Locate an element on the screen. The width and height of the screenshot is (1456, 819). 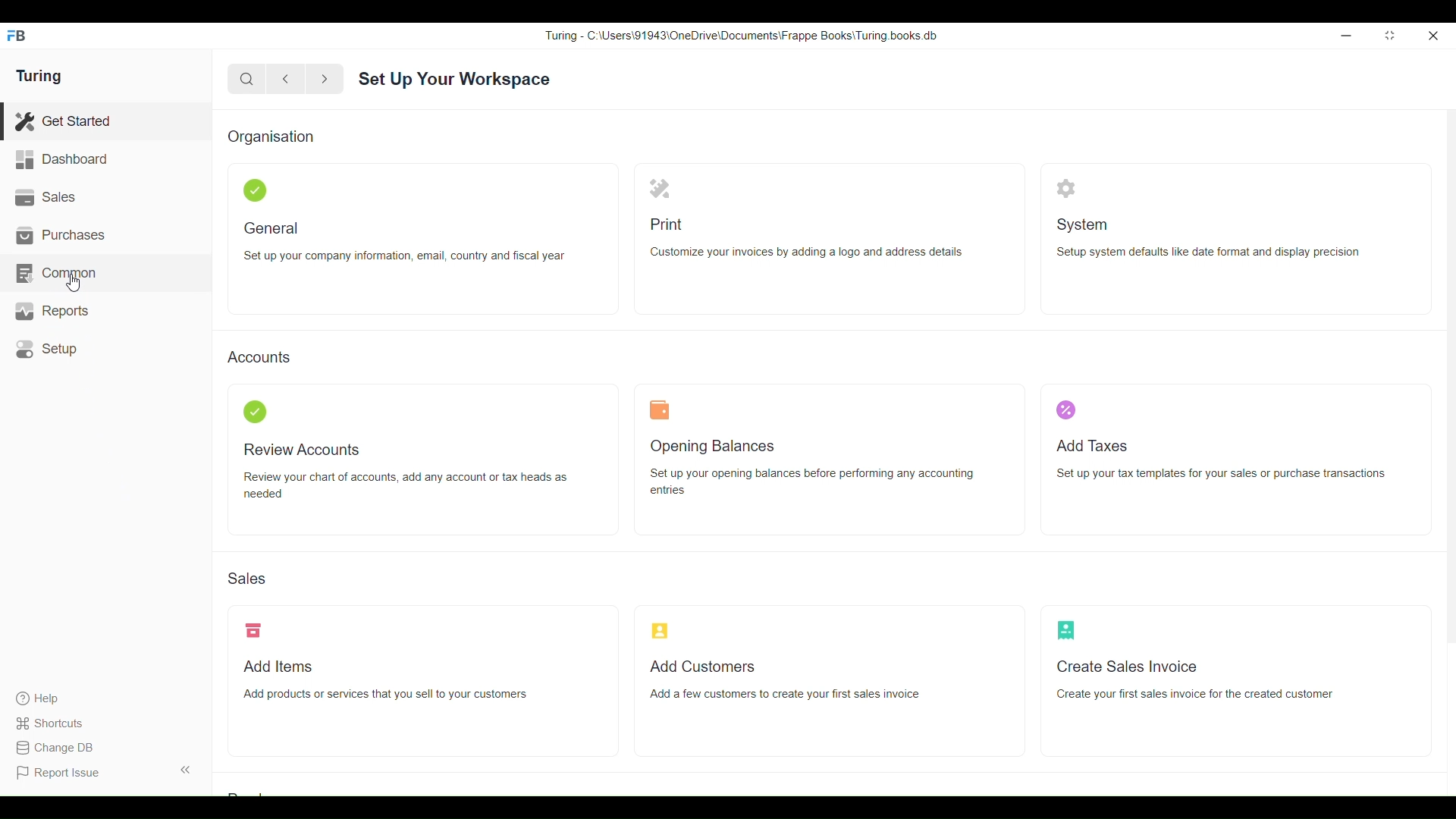
Search is located at coordinates (246, 80).